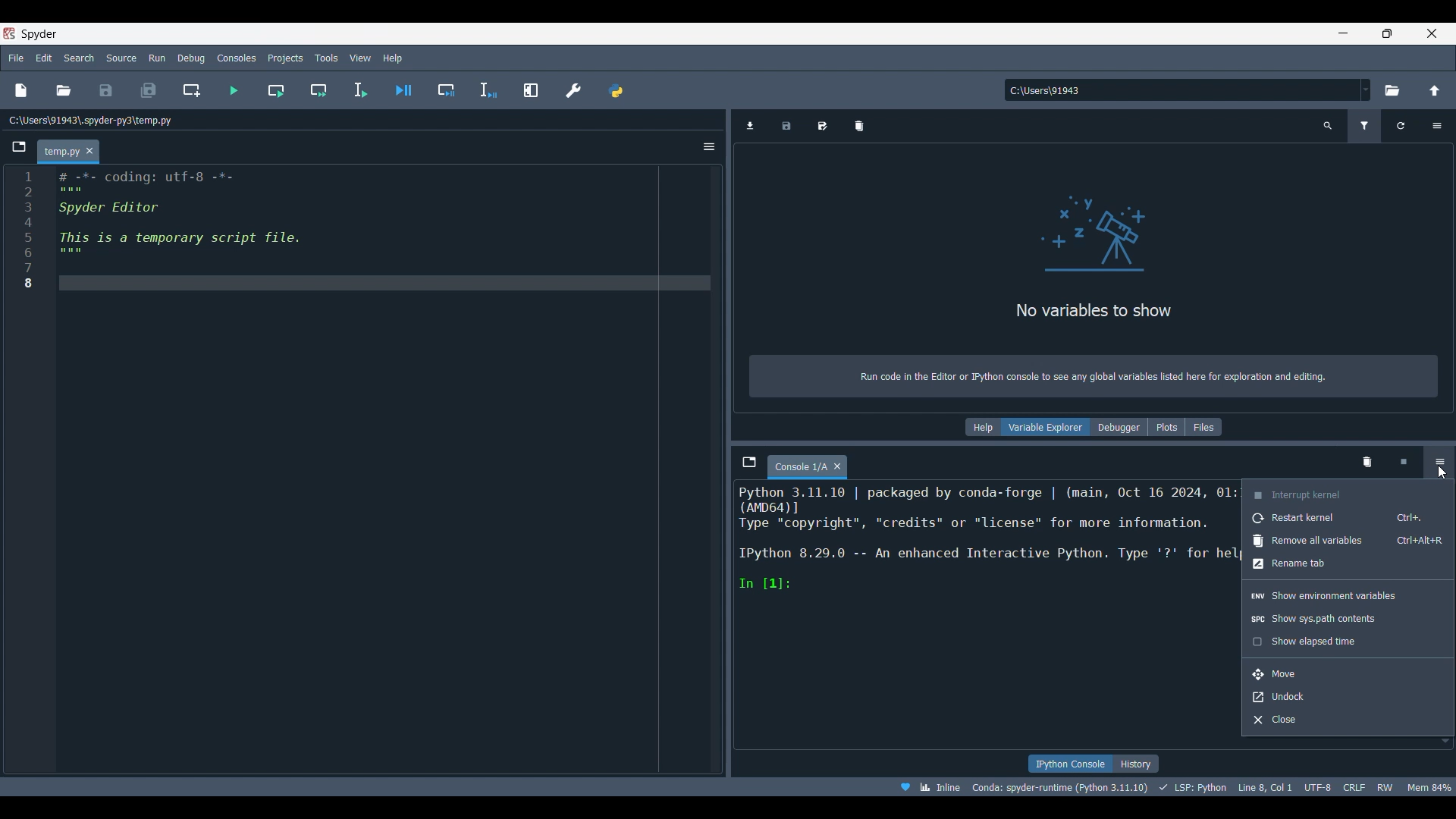  What do you see at coordinates (403, 90) in the screenshot?
I see `Debug file` at bounding box center [403, 90].